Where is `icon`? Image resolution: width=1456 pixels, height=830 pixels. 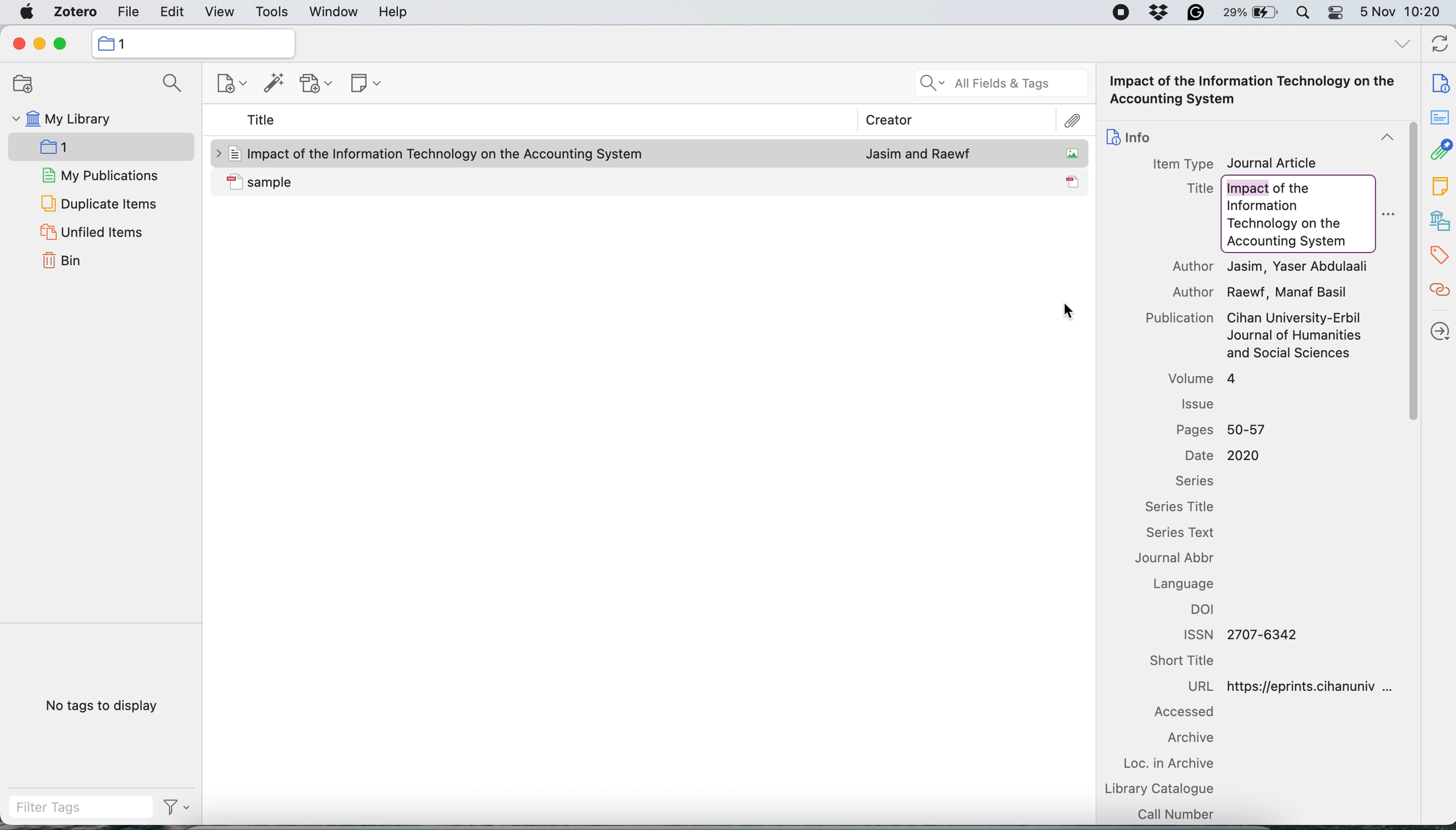 icon is located at coordinates (1073, 181).